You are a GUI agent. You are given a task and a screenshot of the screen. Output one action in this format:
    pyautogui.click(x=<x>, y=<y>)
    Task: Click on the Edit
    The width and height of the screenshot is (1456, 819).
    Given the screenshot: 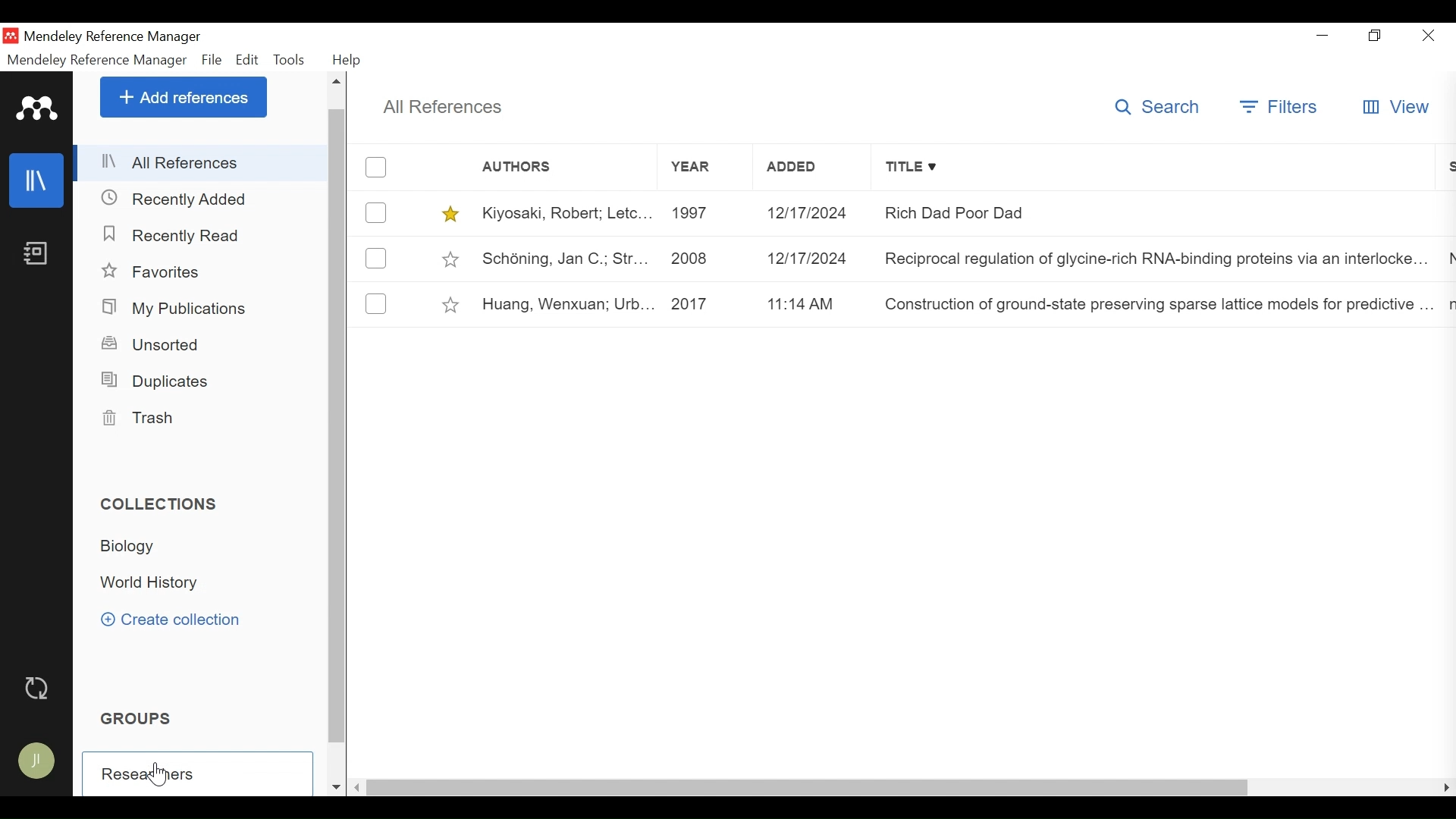 What is the action you would take?
    pyautogui.click(x=246, y=60)
    